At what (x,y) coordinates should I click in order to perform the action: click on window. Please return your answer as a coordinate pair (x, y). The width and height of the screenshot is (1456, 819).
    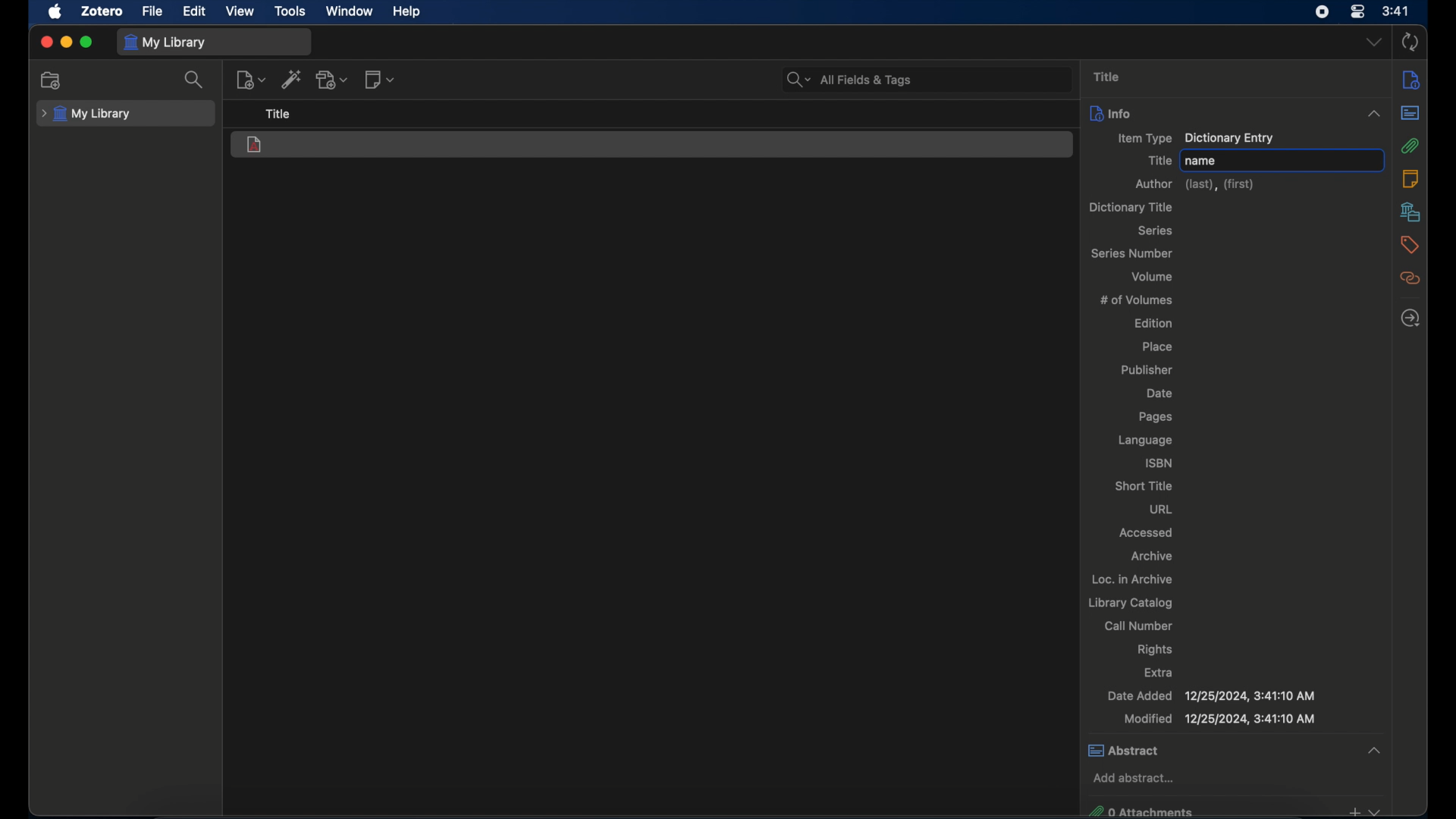
    Looking at the image, I should click on (351, 12).